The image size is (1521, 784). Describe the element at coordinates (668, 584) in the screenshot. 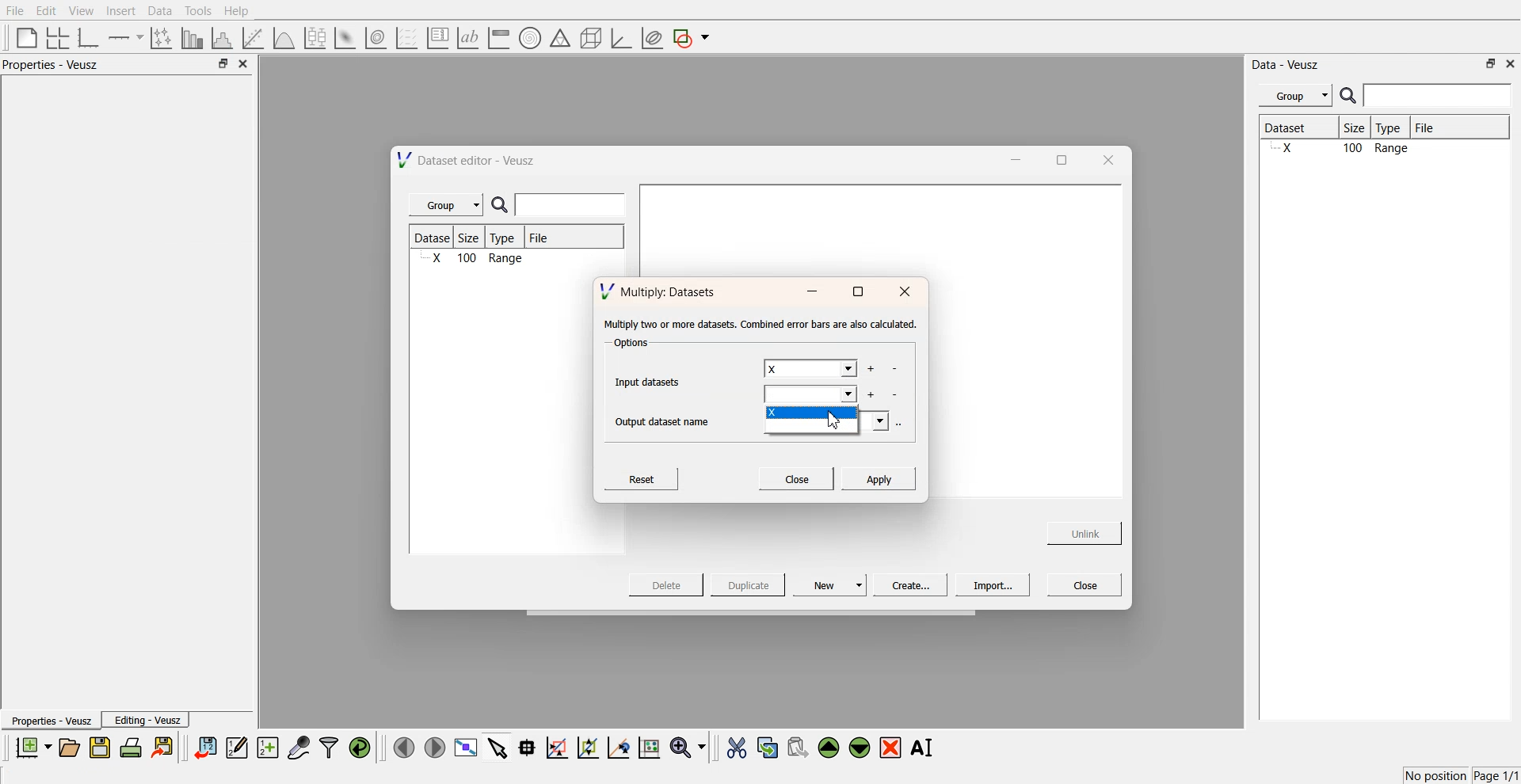

I see `Delete` at that location.